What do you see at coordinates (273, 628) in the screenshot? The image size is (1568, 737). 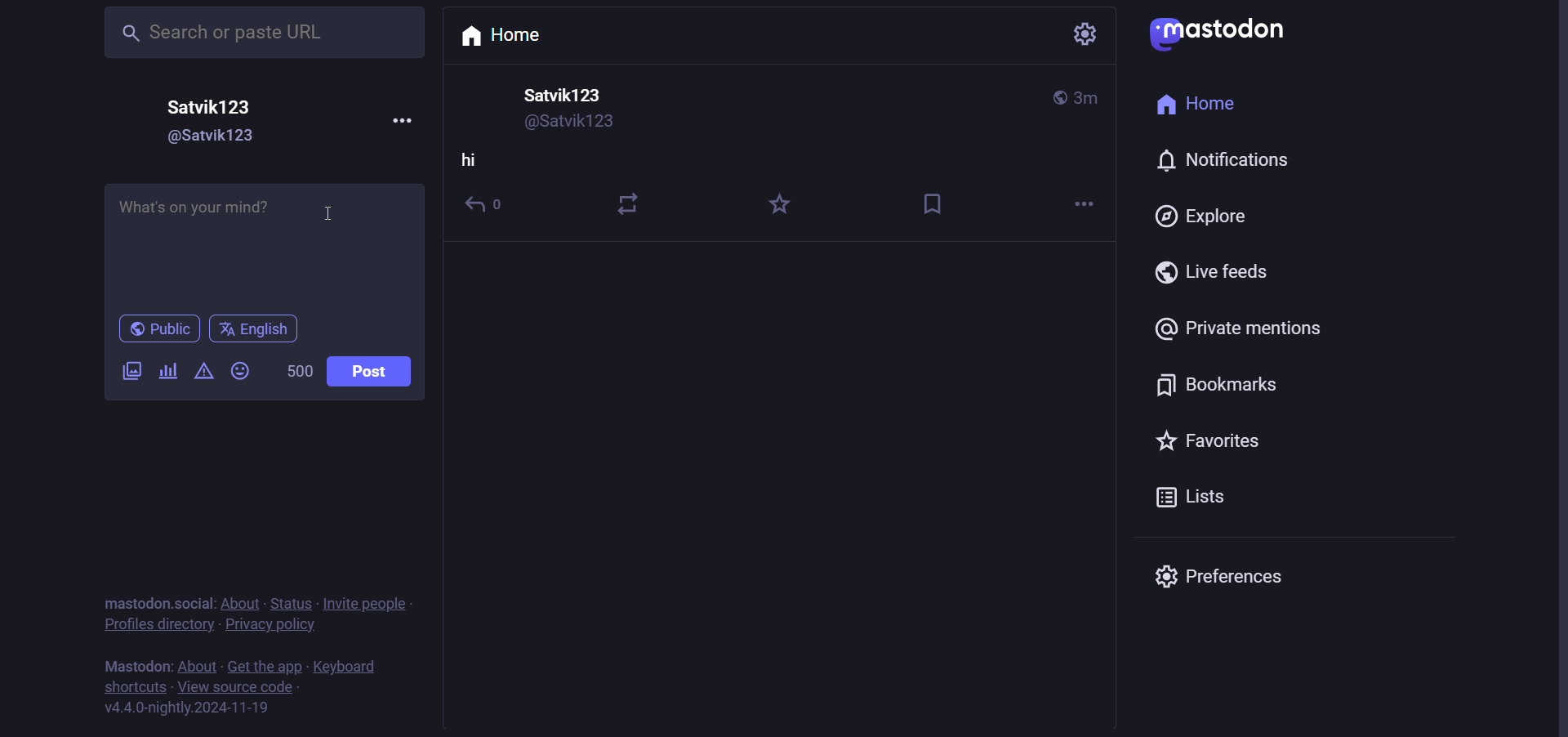 I see `policy` at bounding box center [273, 628].